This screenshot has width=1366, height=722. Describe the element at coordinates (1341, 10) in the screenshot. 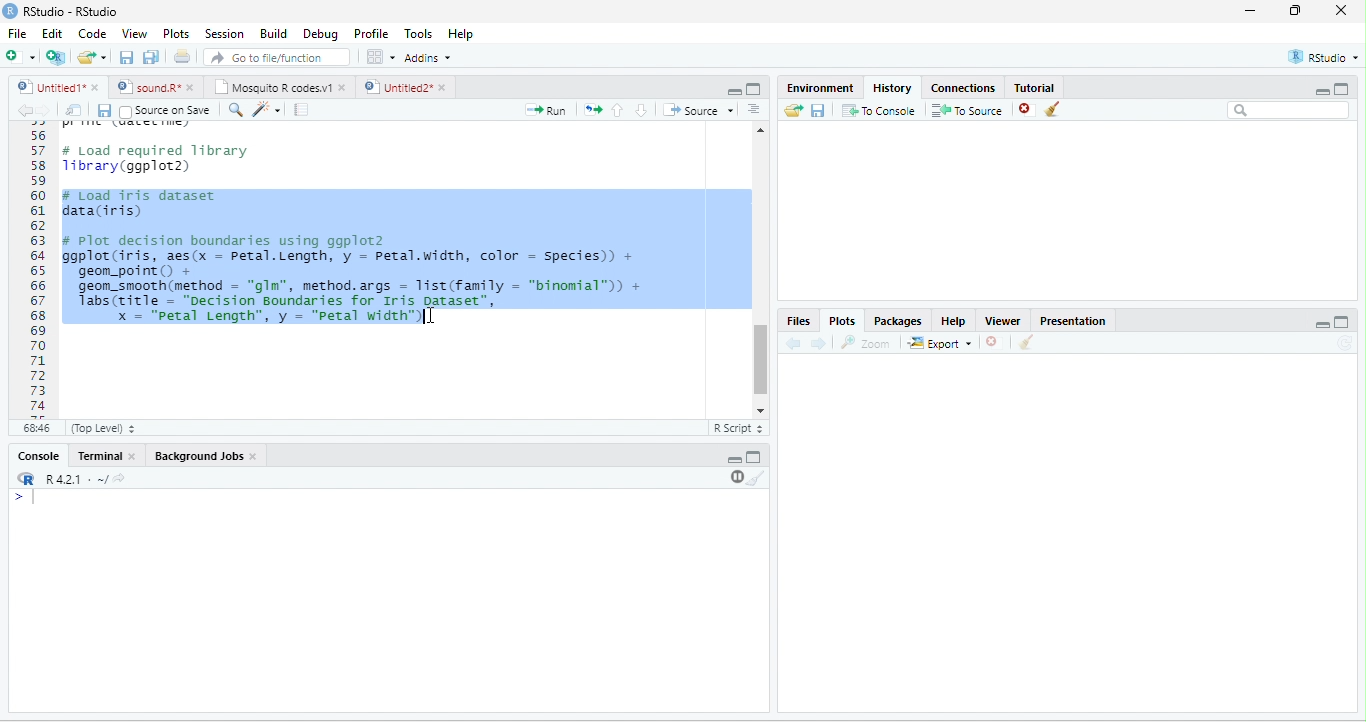

I see `close` at that location.